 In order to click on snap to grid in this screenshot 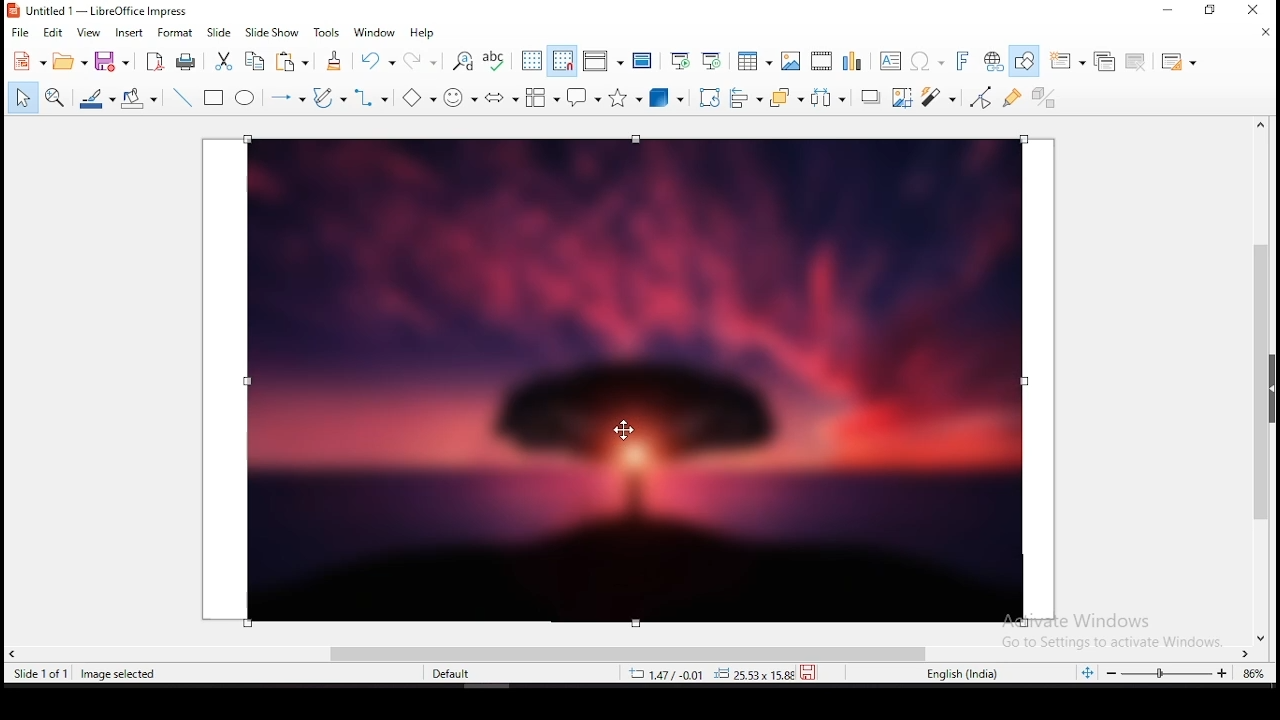, I will do `click(561, 62)`.